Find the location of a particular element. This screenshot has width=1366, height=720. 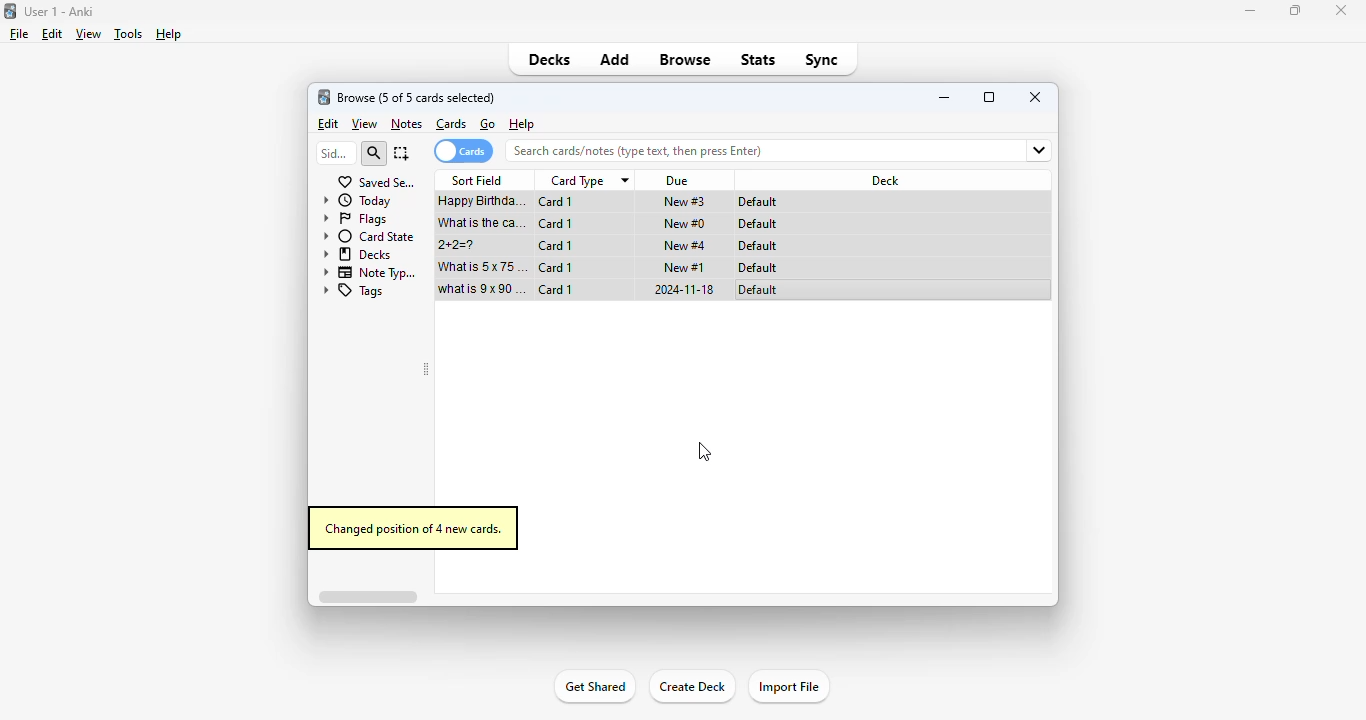

add is located at coordinates (616, 60).